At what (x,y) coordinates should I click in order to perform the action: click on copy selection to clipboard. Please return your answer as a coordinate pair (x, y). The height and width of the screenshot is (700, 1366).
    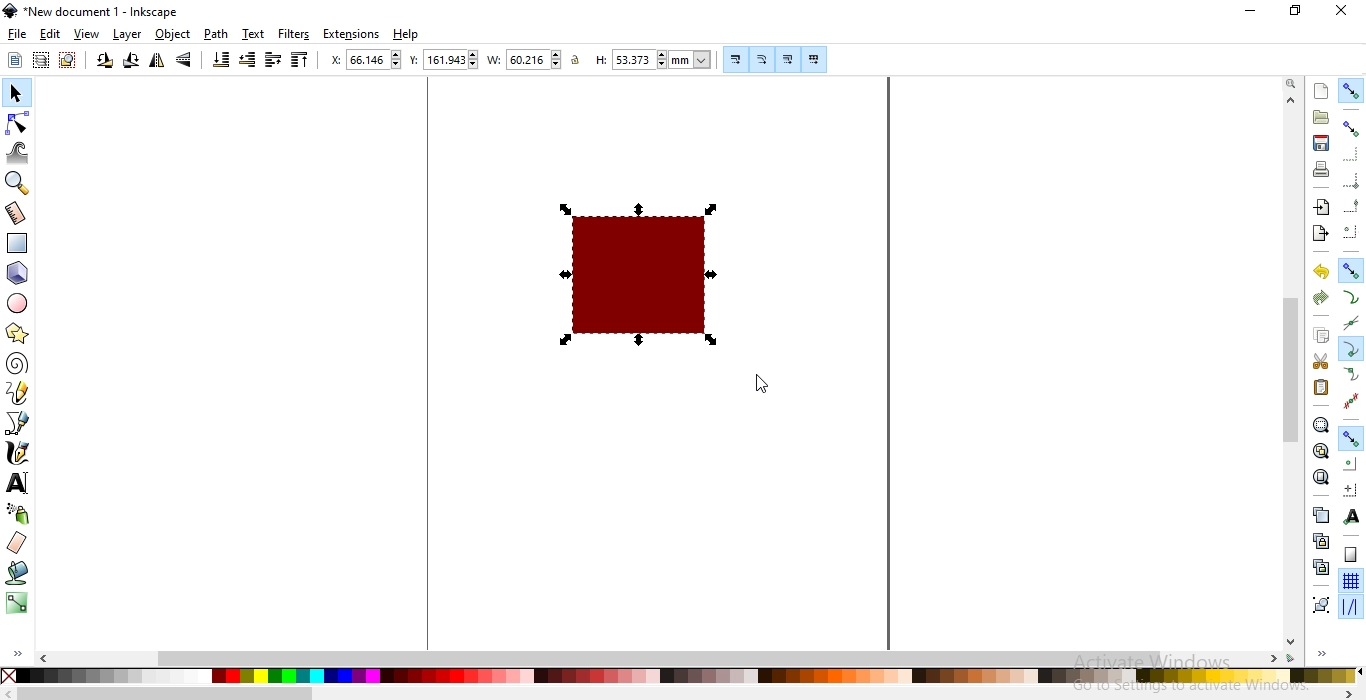
    Looking at the image, I should click on (1320, 336).